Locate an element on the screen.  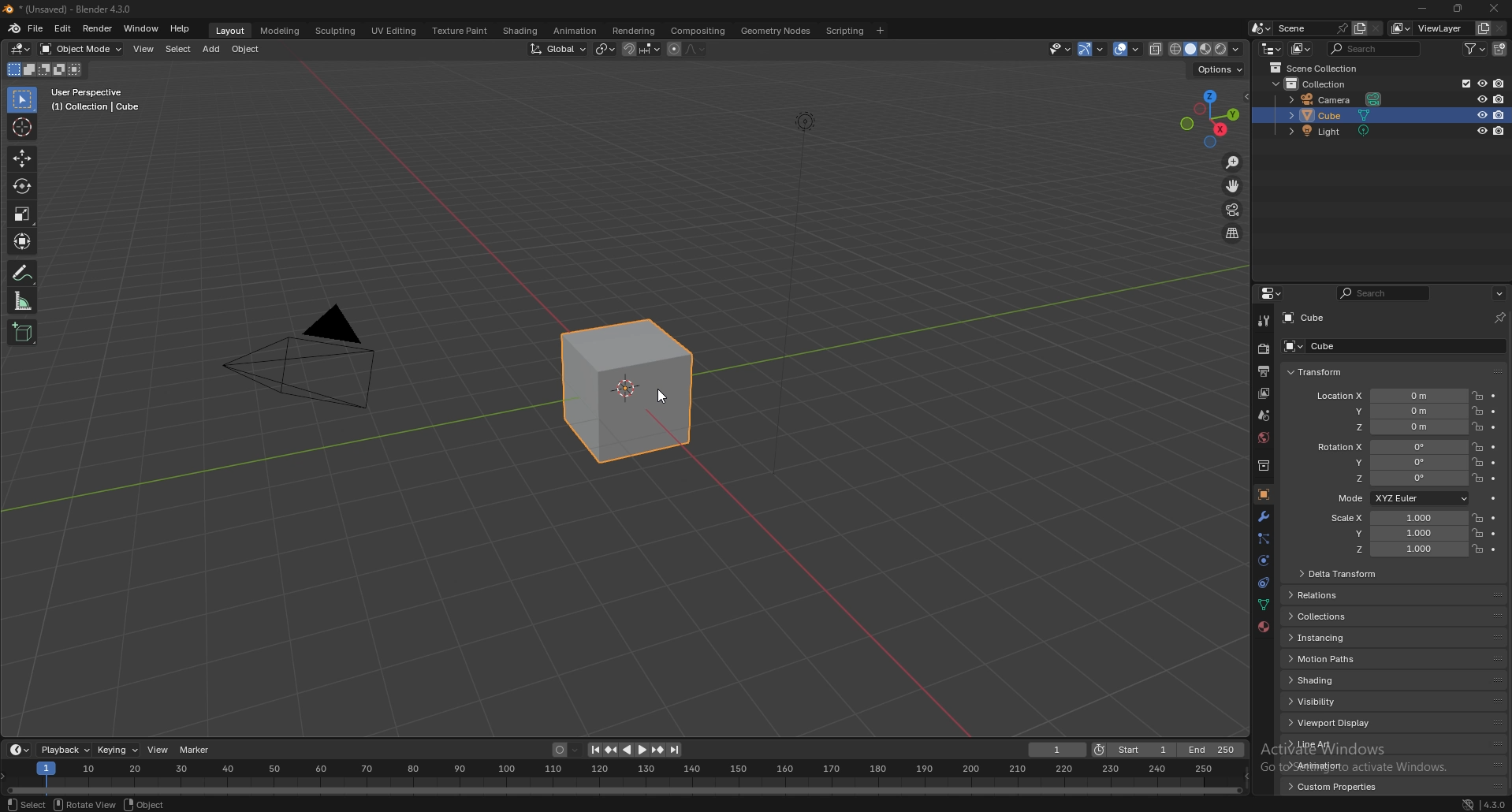
motion paths is located at coordinates (1349, 658).